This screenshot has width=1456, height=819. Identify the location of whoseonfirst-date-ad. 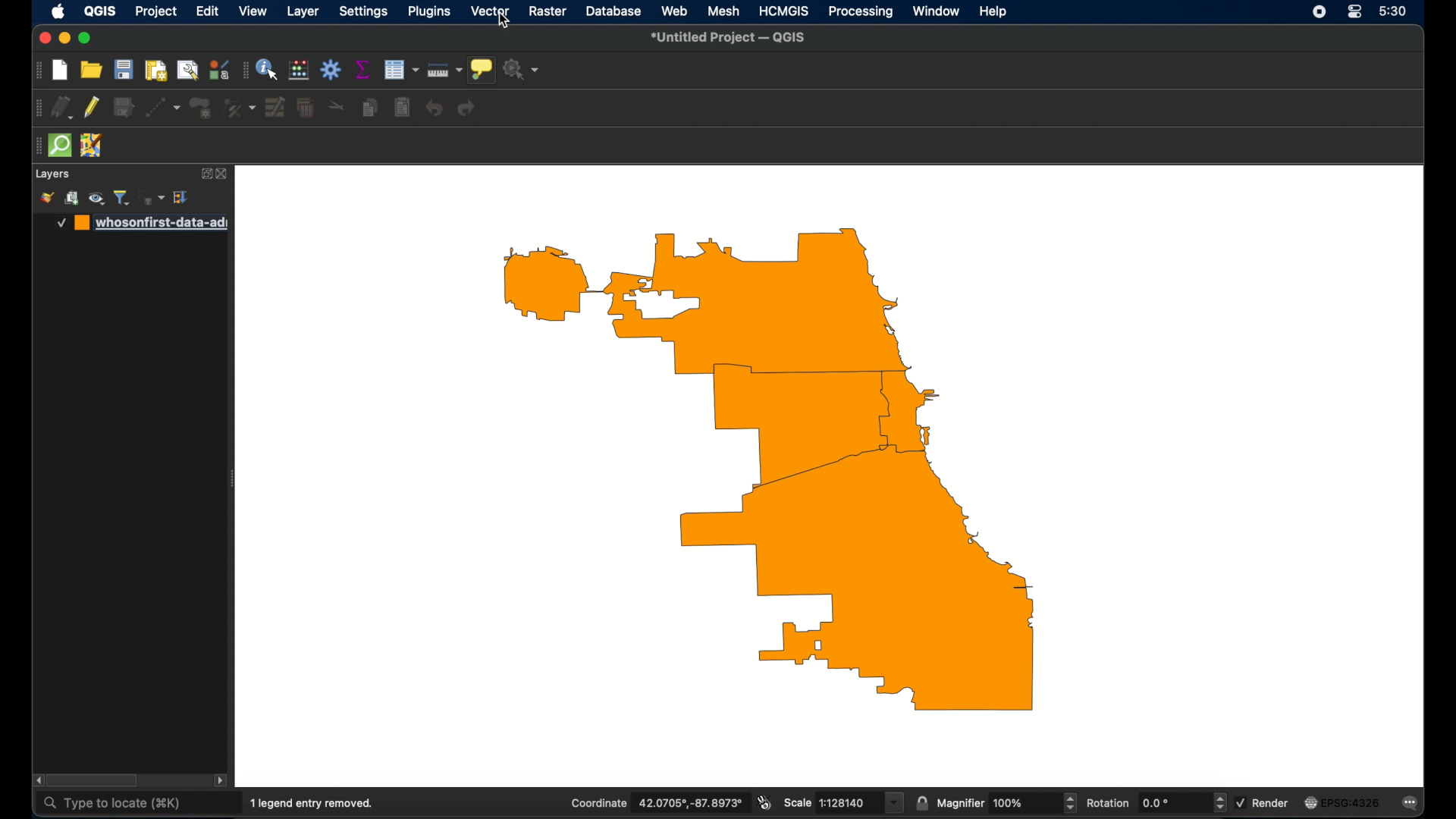
(142, 223).